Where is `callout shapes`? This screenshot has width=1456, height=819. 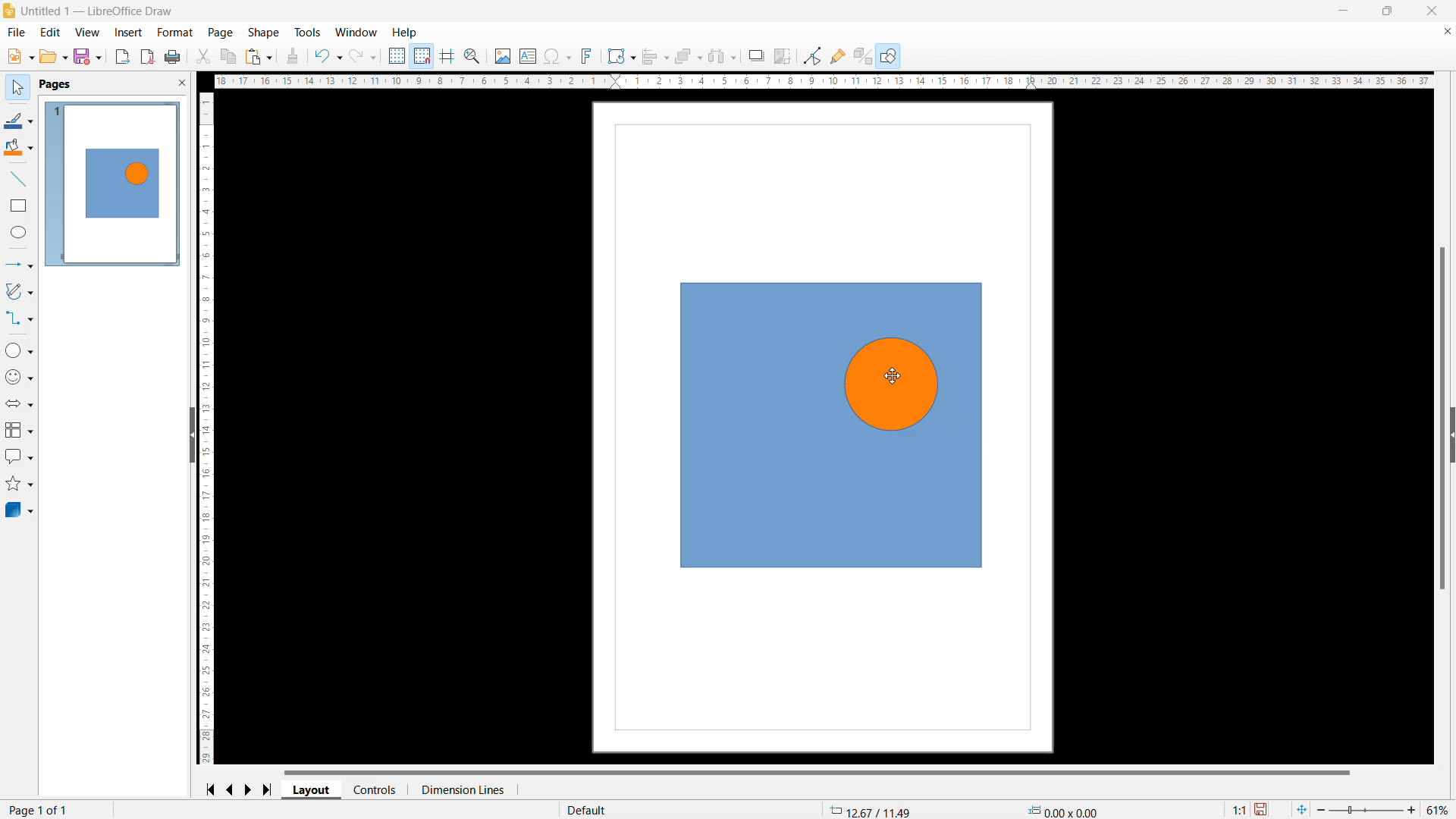
callout shapes is located at coordinates (19, 455).